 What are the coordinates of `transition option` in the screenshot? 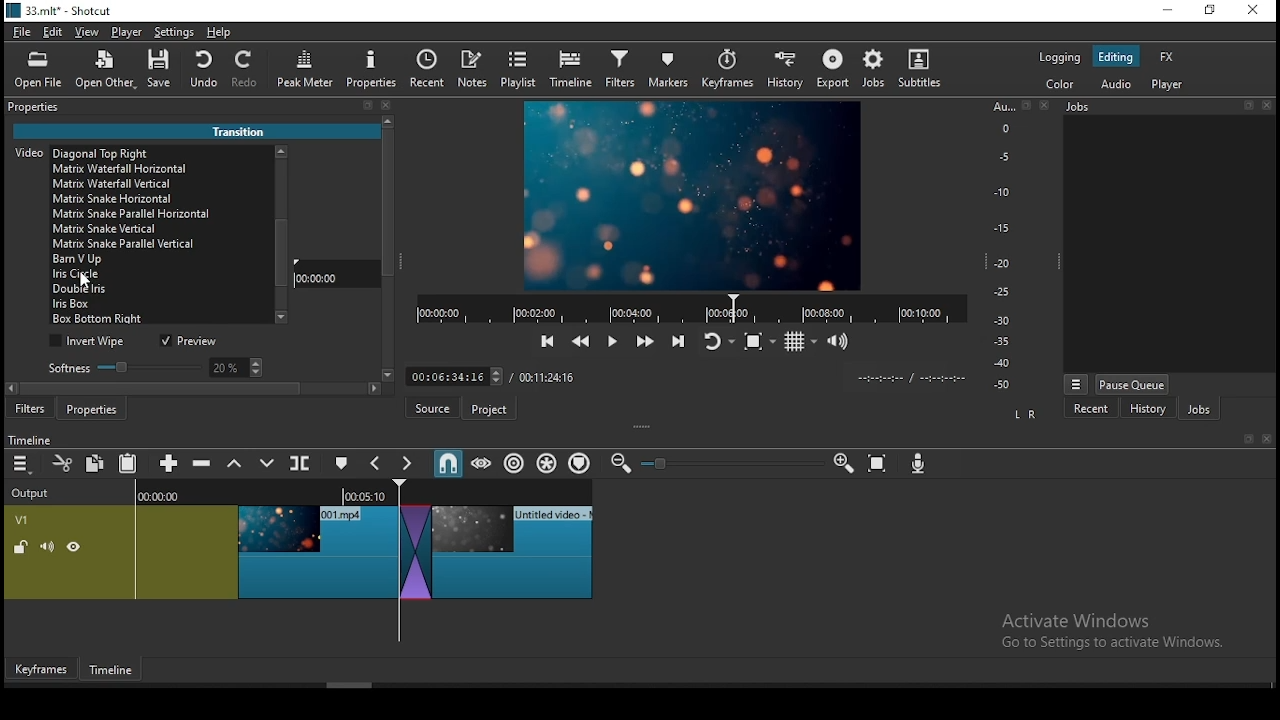 It's located at (159, 214).